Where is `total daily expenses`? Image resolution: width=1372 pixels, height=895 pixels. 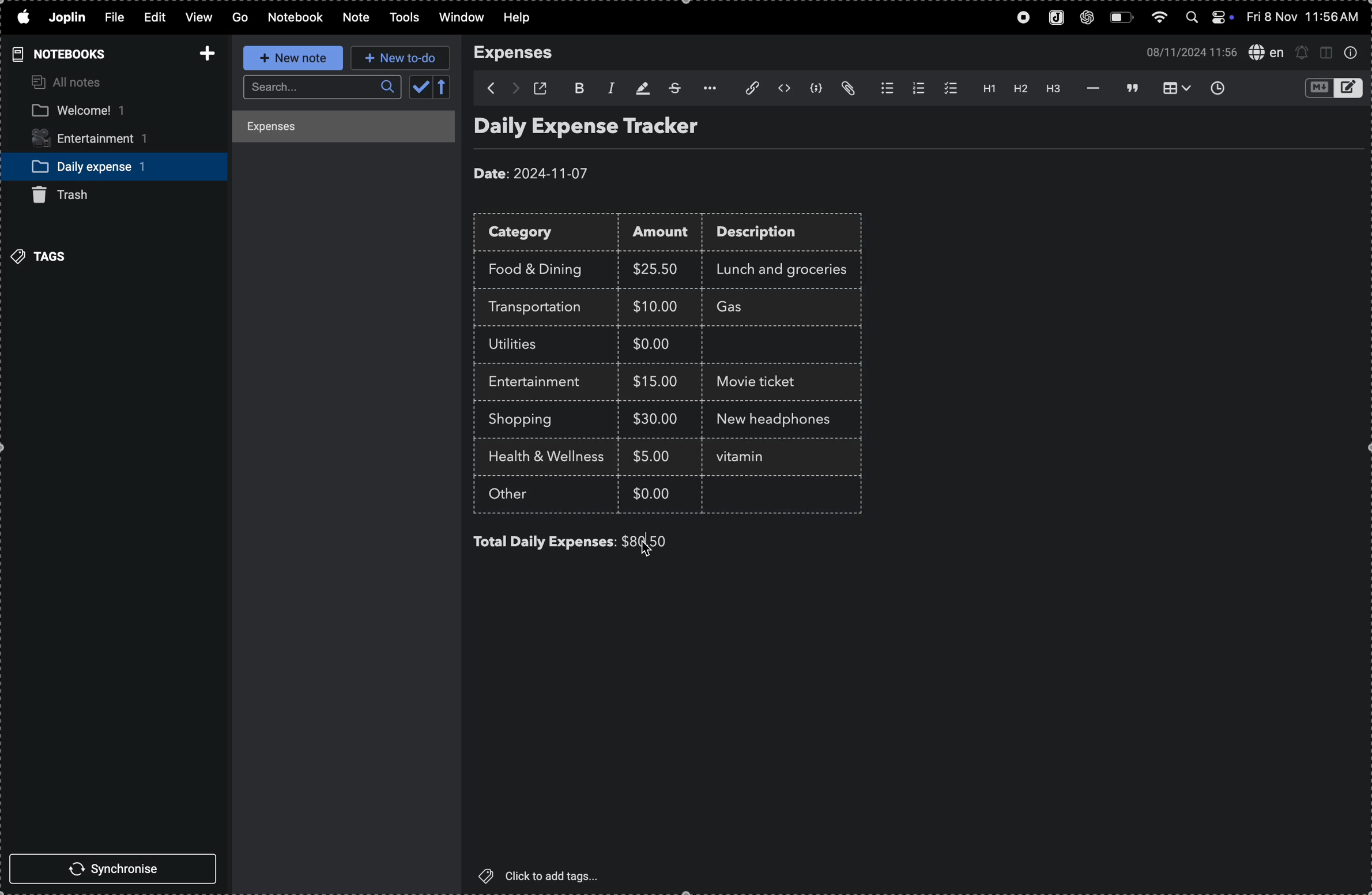
total daily expenses is located at coordinates (545, 542).